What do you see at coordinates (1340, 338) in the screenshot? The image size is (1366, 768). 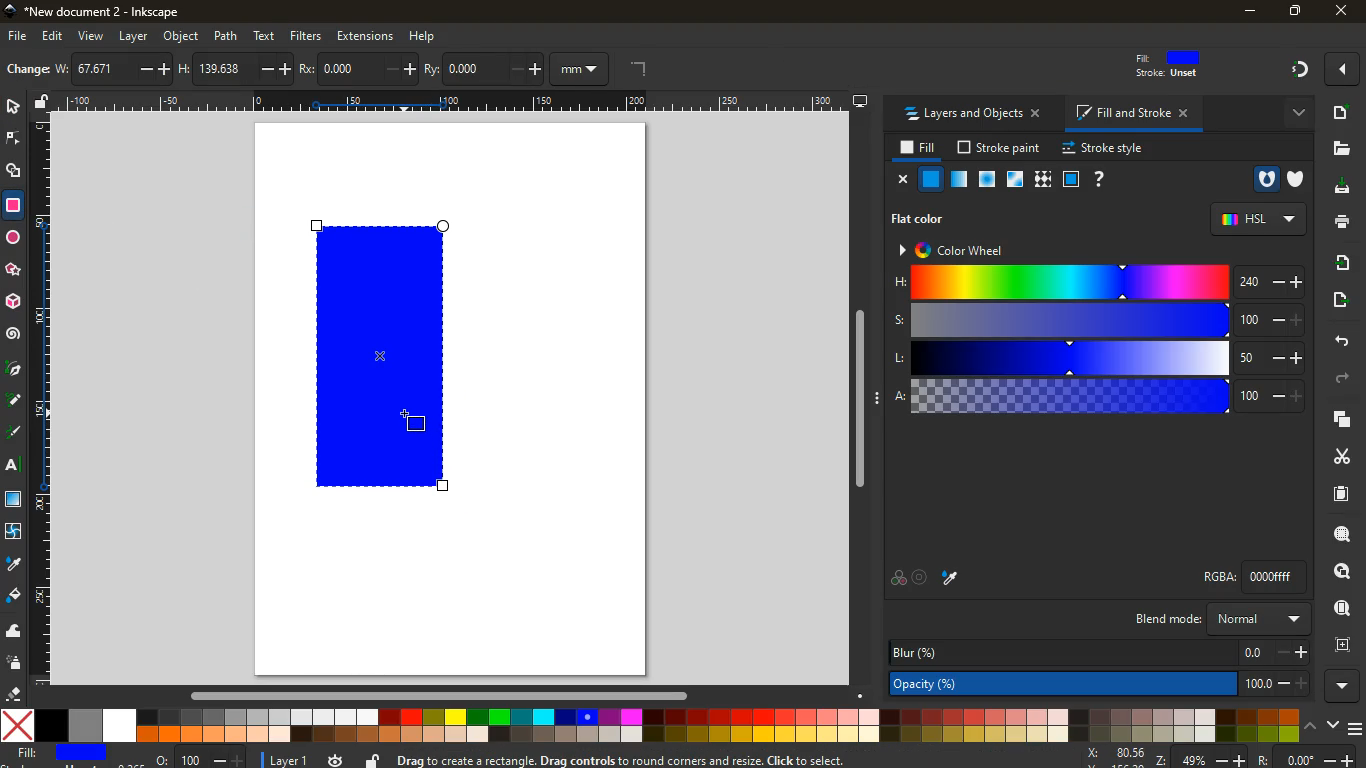 I see `back` at bounding box center [1340, 338].